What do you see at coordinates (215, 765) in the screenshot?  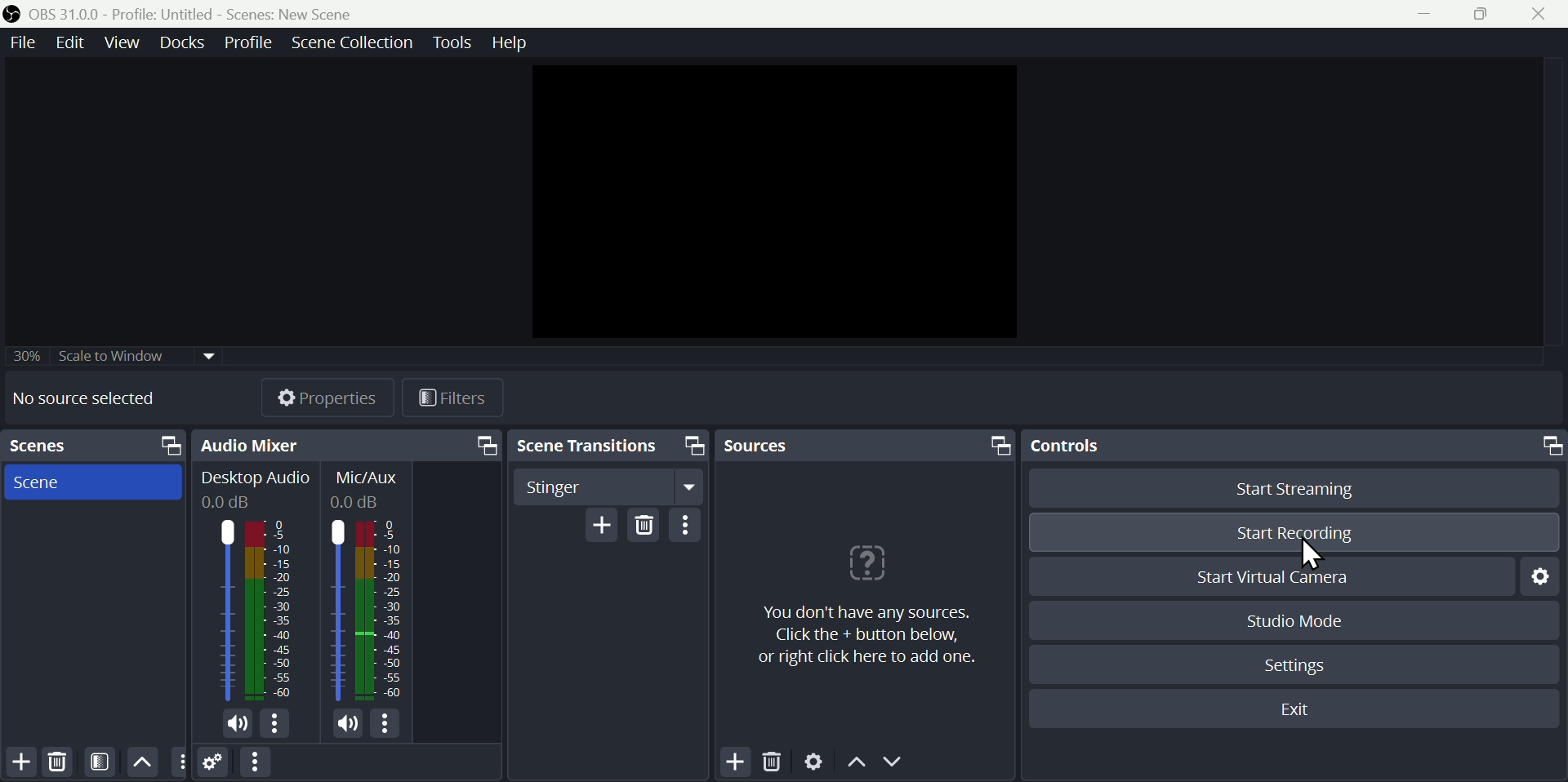 I see `Settings` at bounding box center [215, 765].